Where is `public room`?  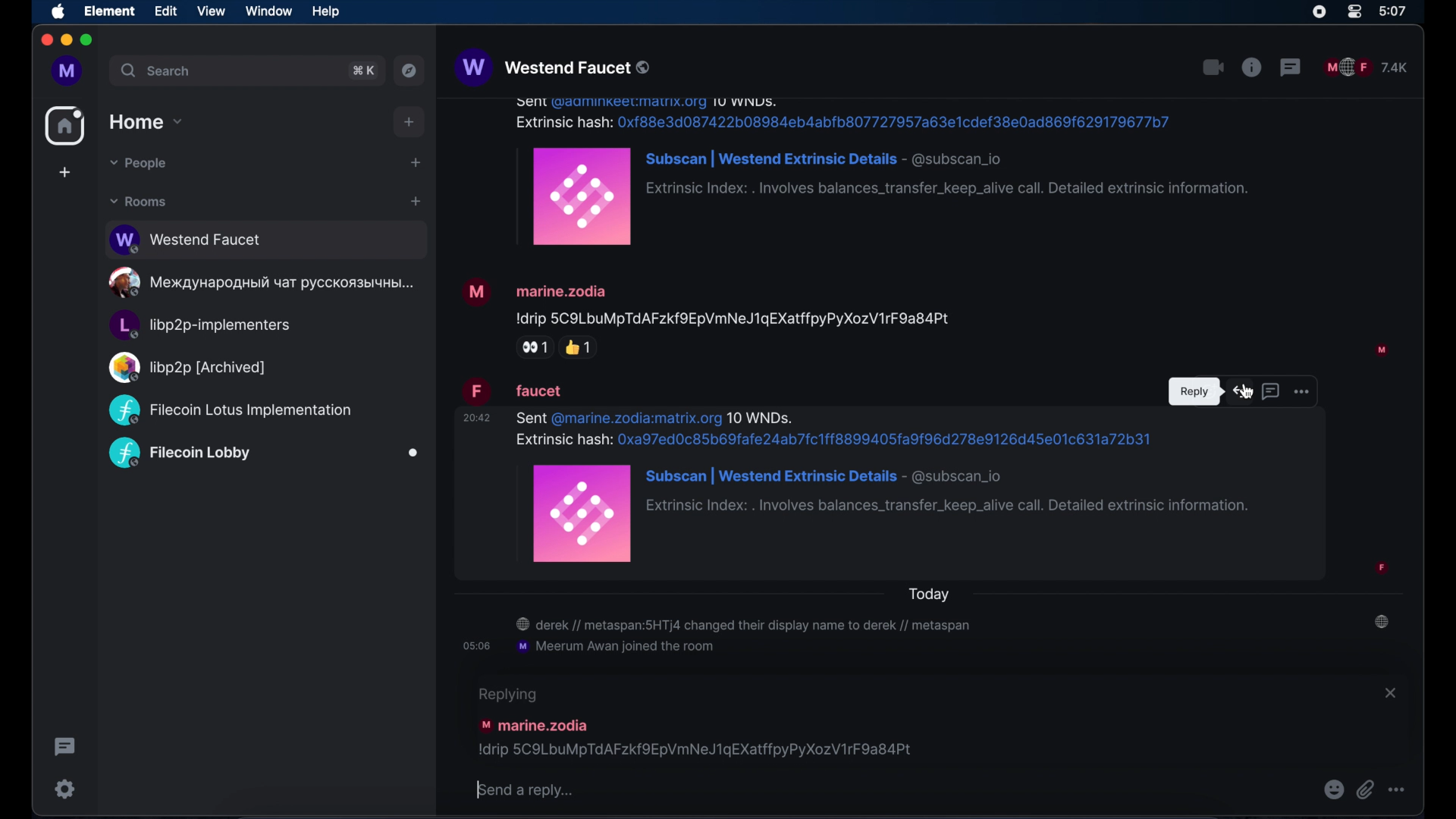
public room is located at coordinates (230, 410).